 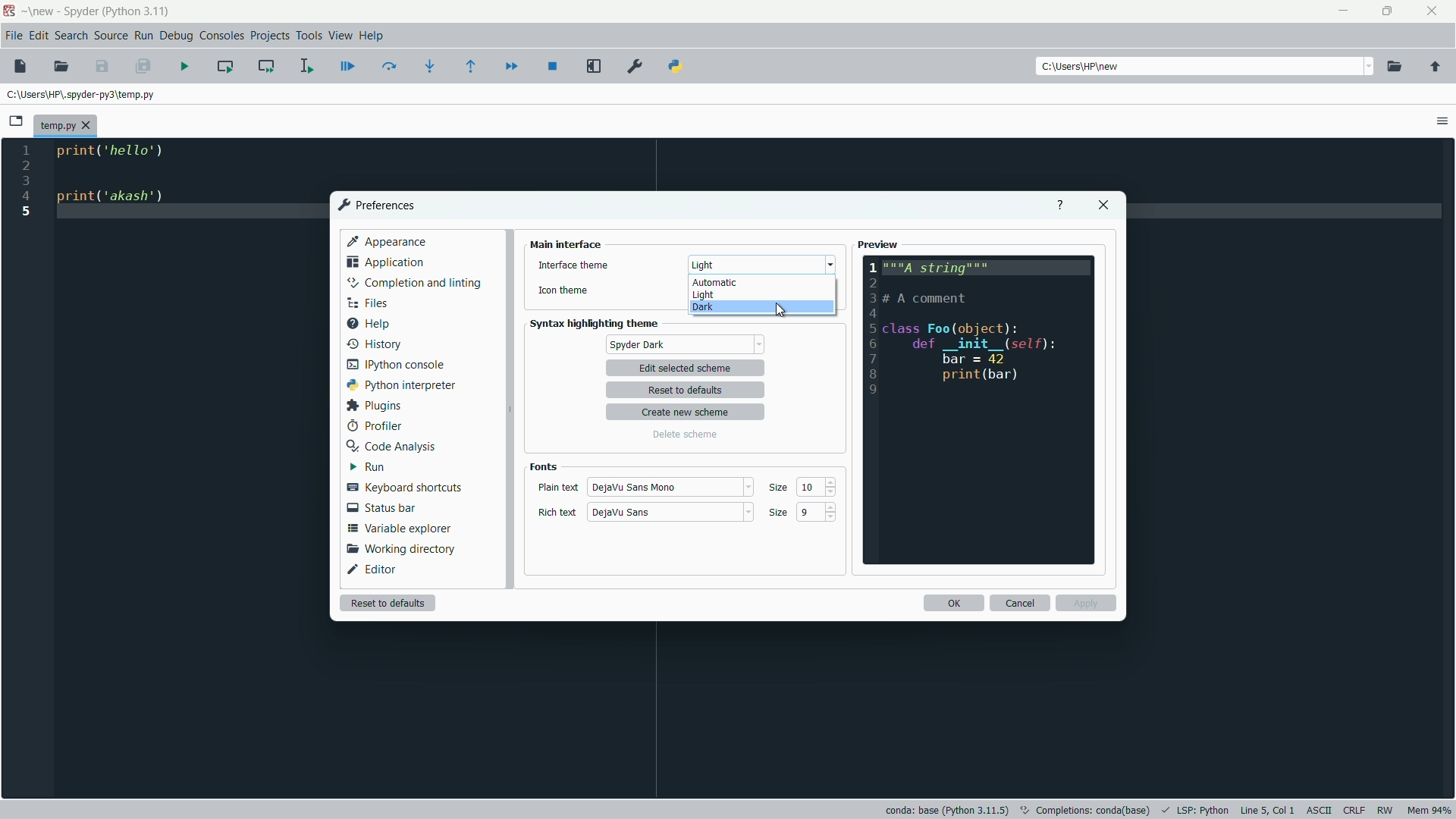 I want to click on create new scheme, so click(x=688, y=413).